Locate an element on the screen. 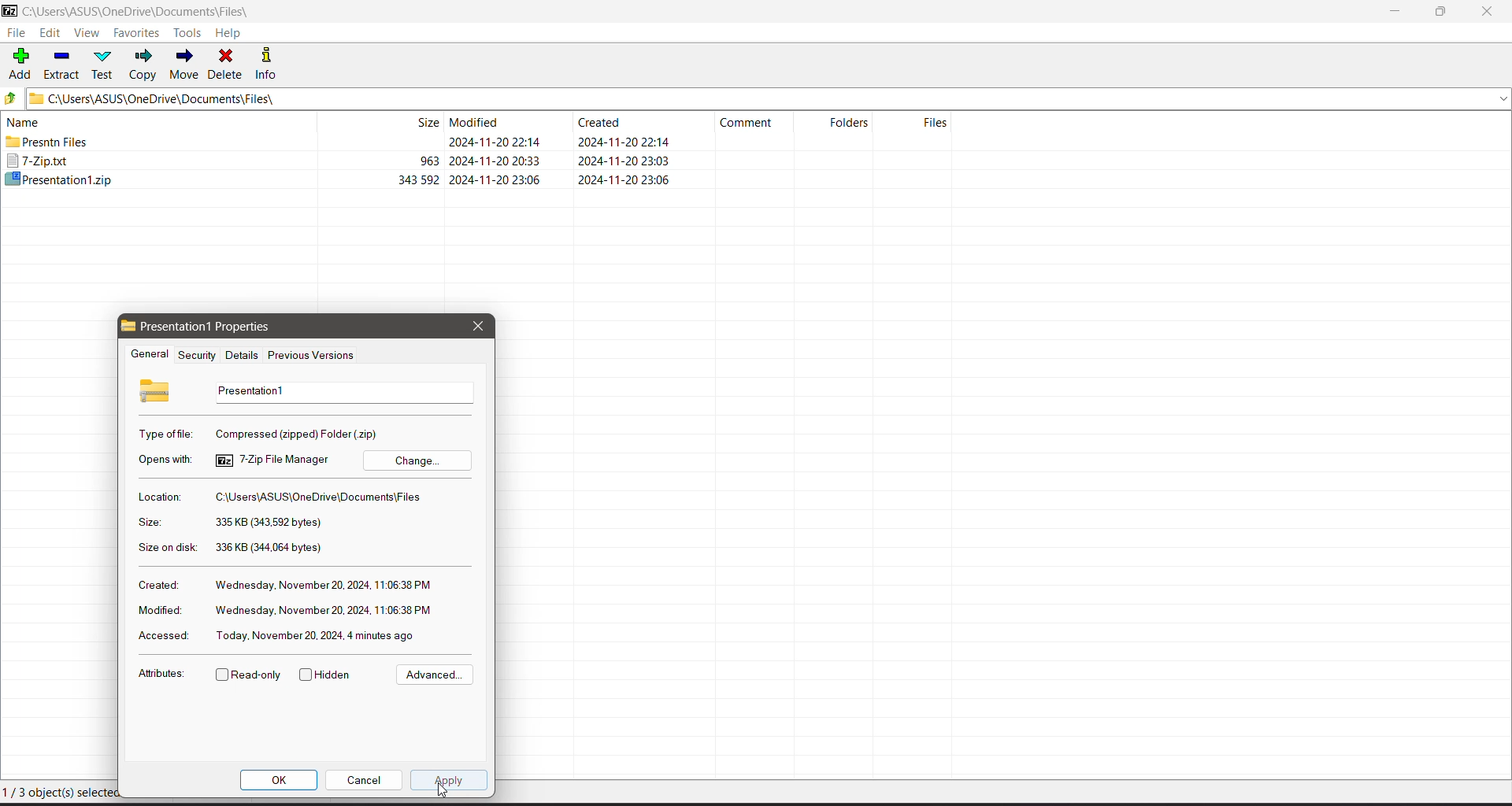 The image size is (1512, 806). Modified is located at coordinates (157, 610).